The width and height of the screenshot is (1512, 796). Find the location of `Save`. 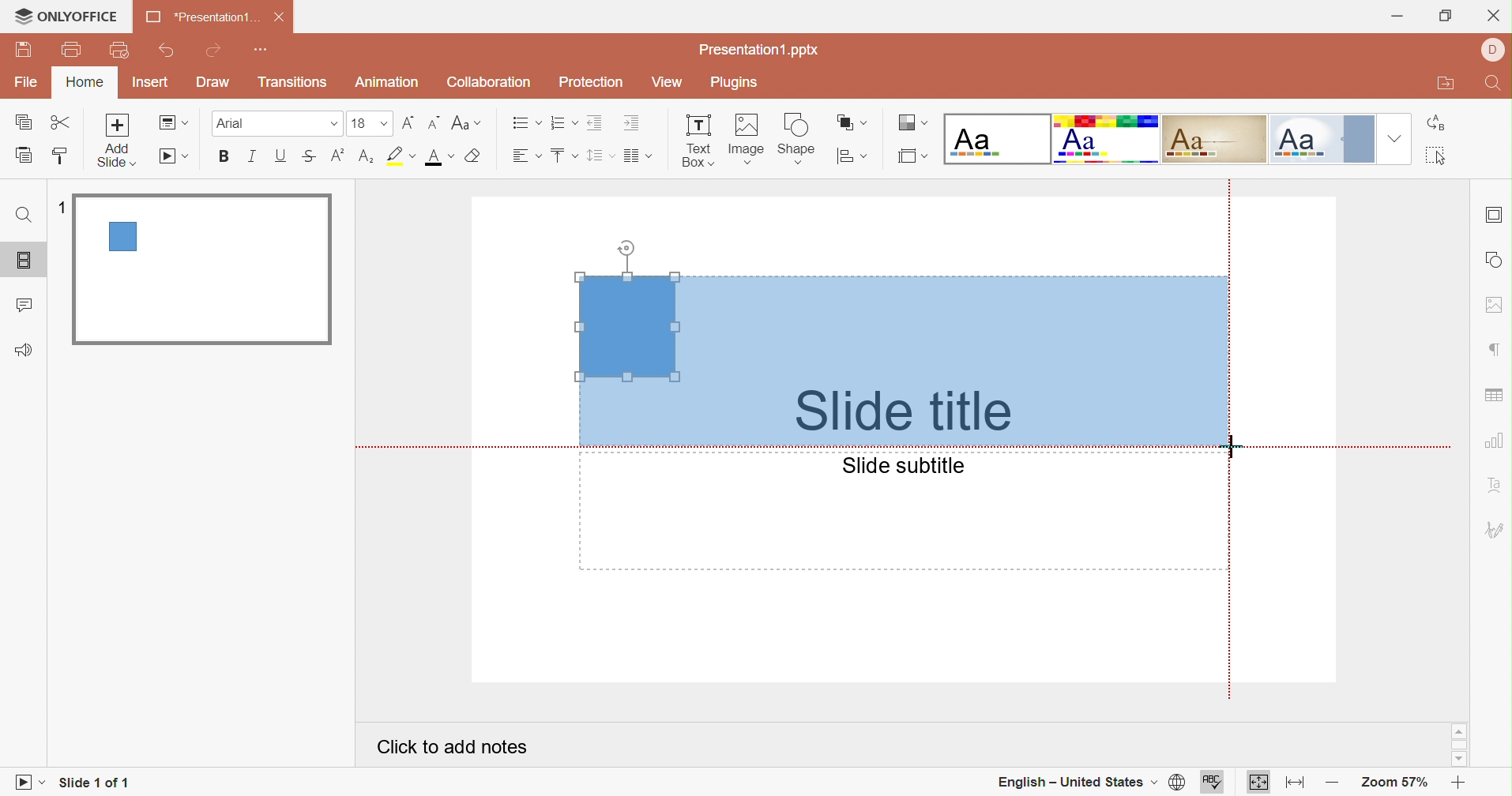

Save is located at coordinates (24, 50).